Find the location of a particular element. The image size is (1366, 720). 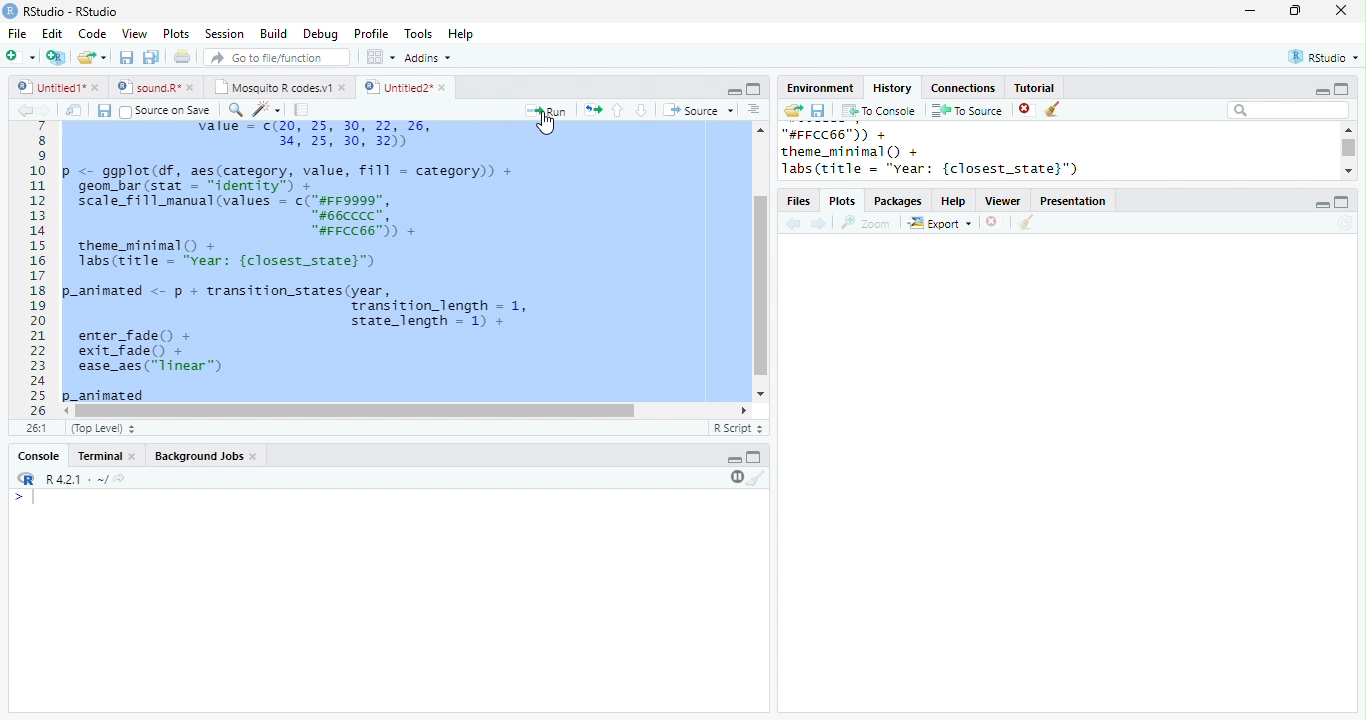

show in new window is located at coordinates (75, 111).